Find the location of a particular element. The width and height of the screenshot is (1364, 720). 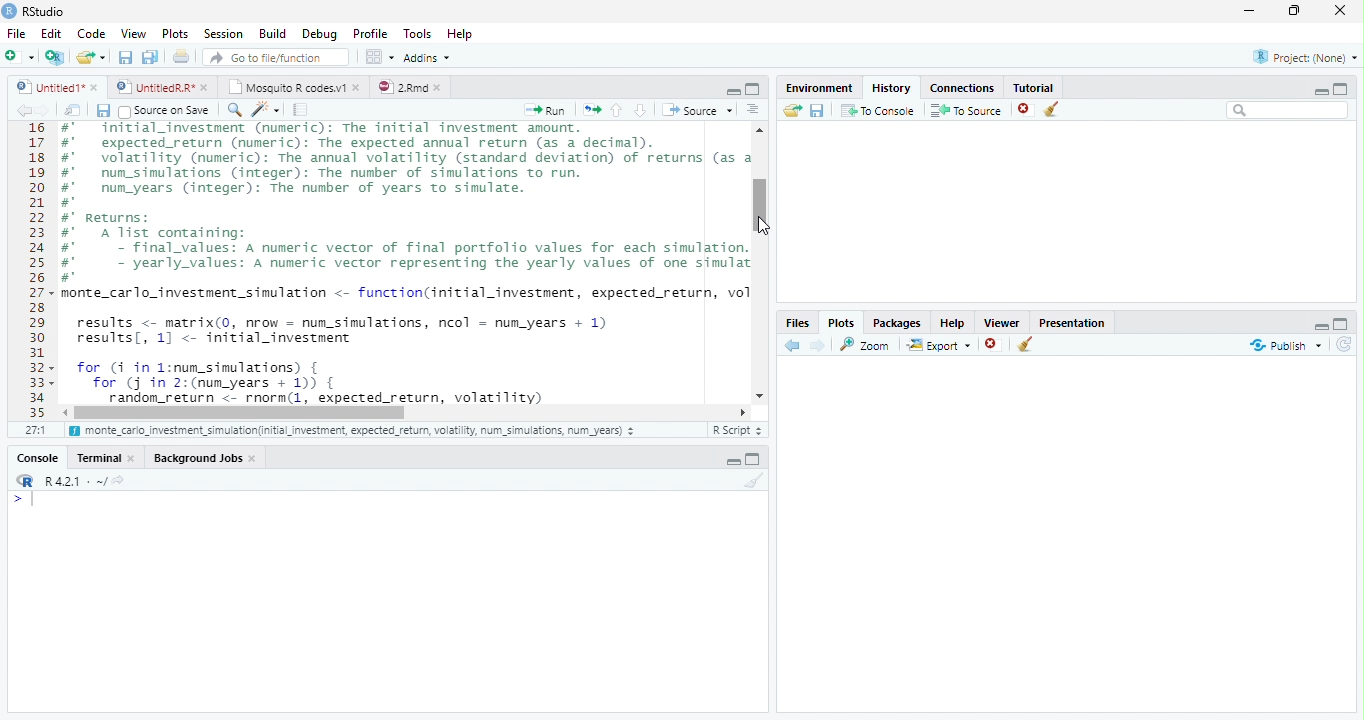

Viewer is located at coordinates (1003, 320).